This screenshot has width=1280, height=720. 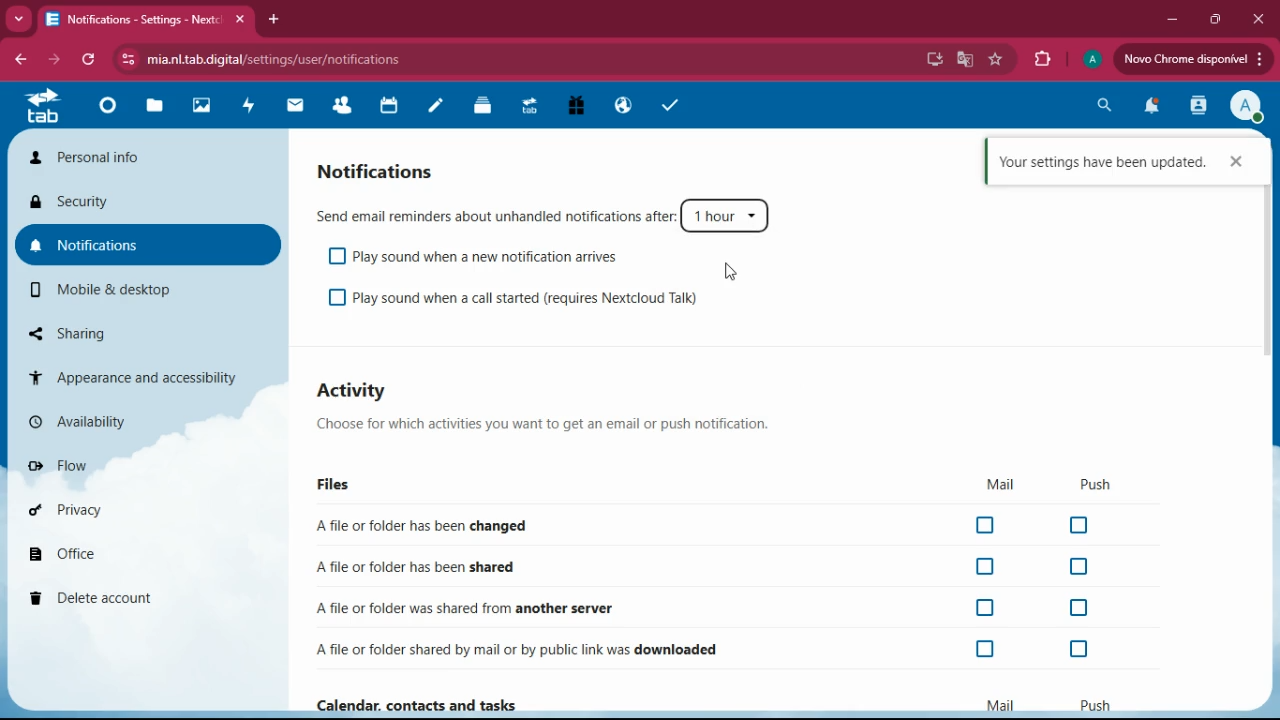 What do you see at coordinates (1105, 103) in the screenshot?
I see `search` at bounding box center [1105, 103].